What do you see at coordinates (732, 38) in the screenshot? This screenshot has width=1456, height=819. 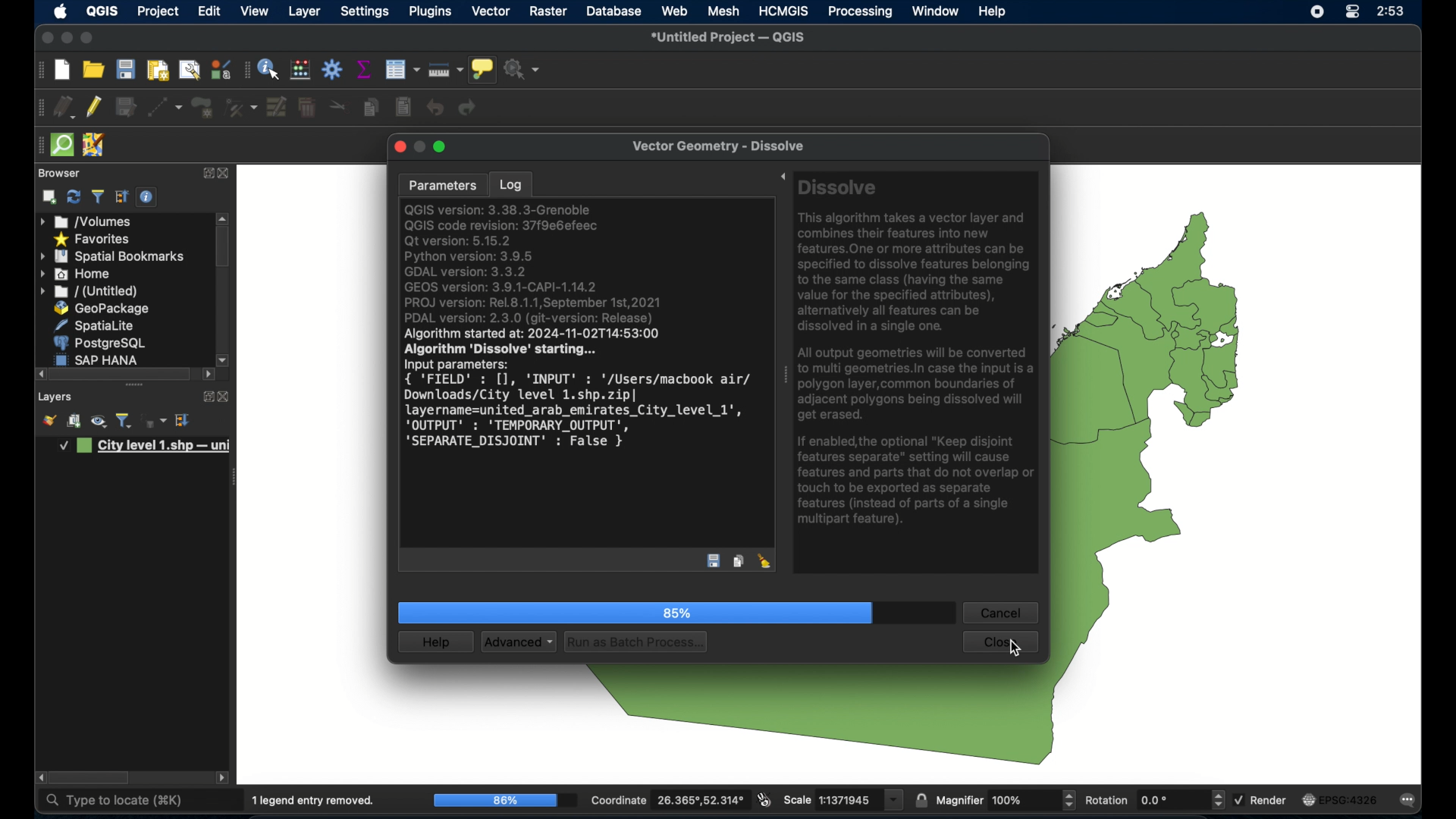 I see `untitled project - QGIS` at bounding box center [732, 38].